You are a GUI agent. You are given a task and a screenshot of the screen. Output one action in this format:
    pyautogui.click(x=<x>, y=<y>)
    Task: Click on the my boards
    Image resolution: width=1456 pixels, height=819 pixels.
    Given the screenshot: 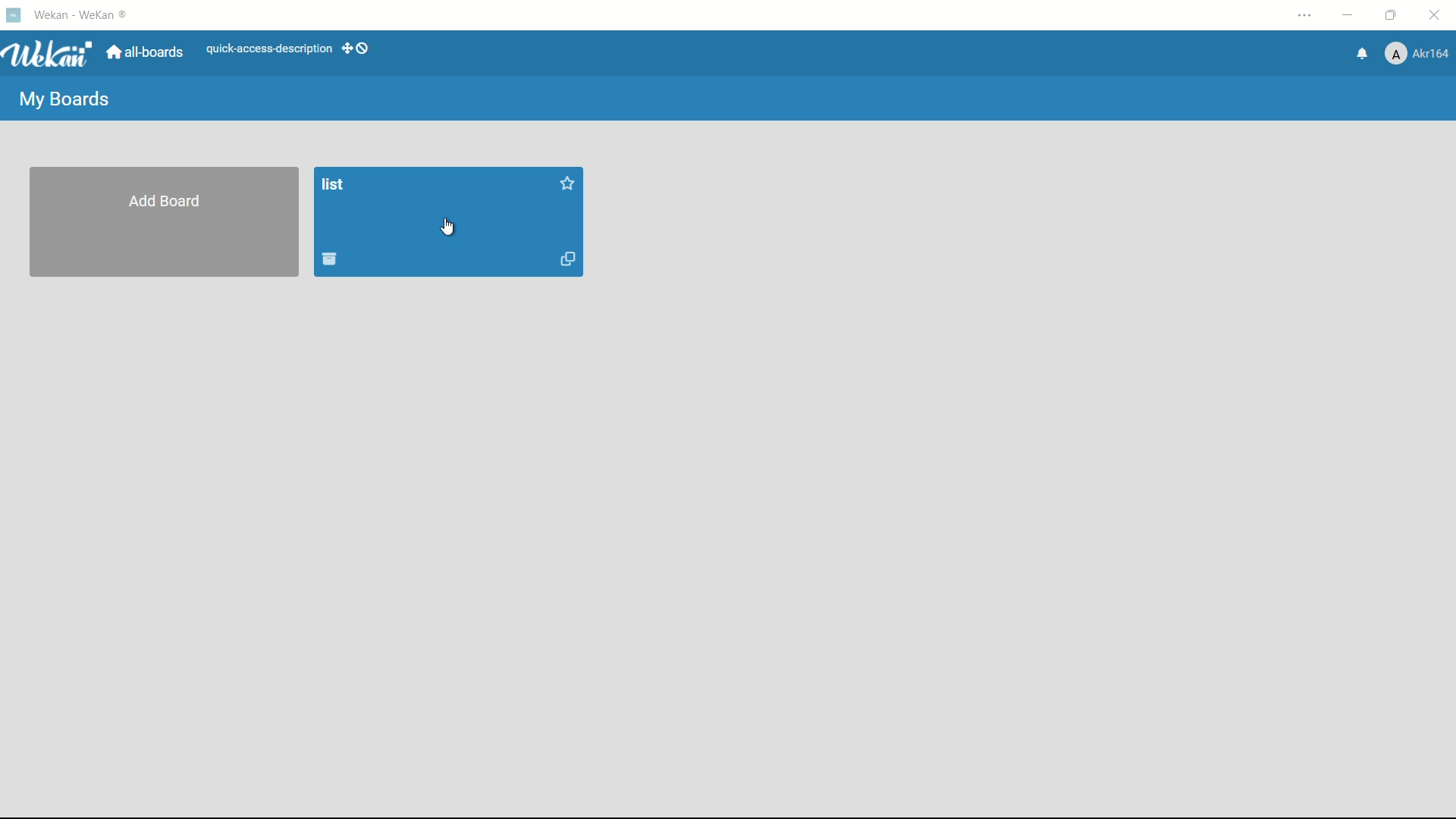 What is the action you would take?
    pyautogui.click(x=69, y=101)
    